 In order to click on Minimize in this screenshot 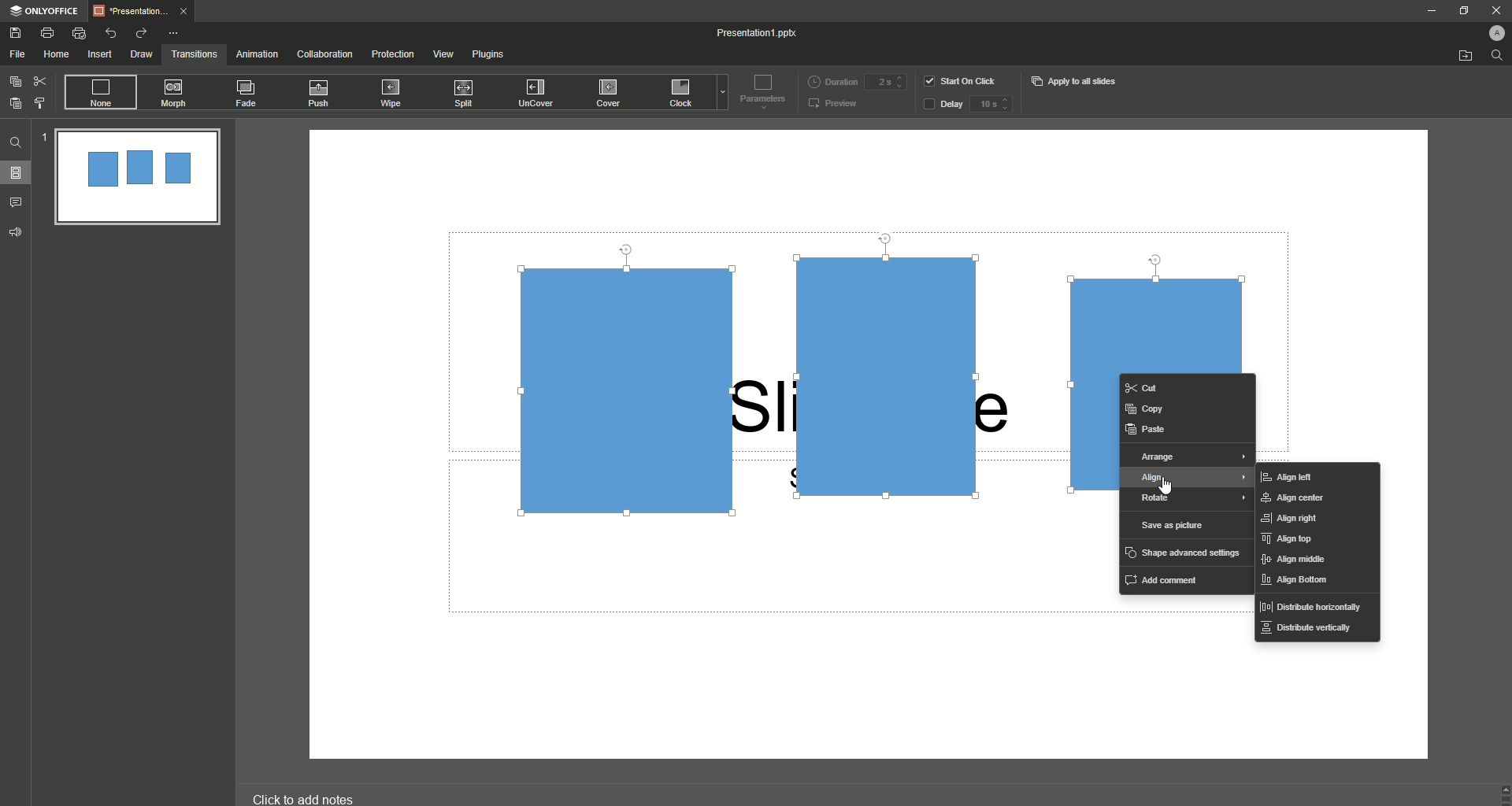, I will do `click(1430, 13)`.